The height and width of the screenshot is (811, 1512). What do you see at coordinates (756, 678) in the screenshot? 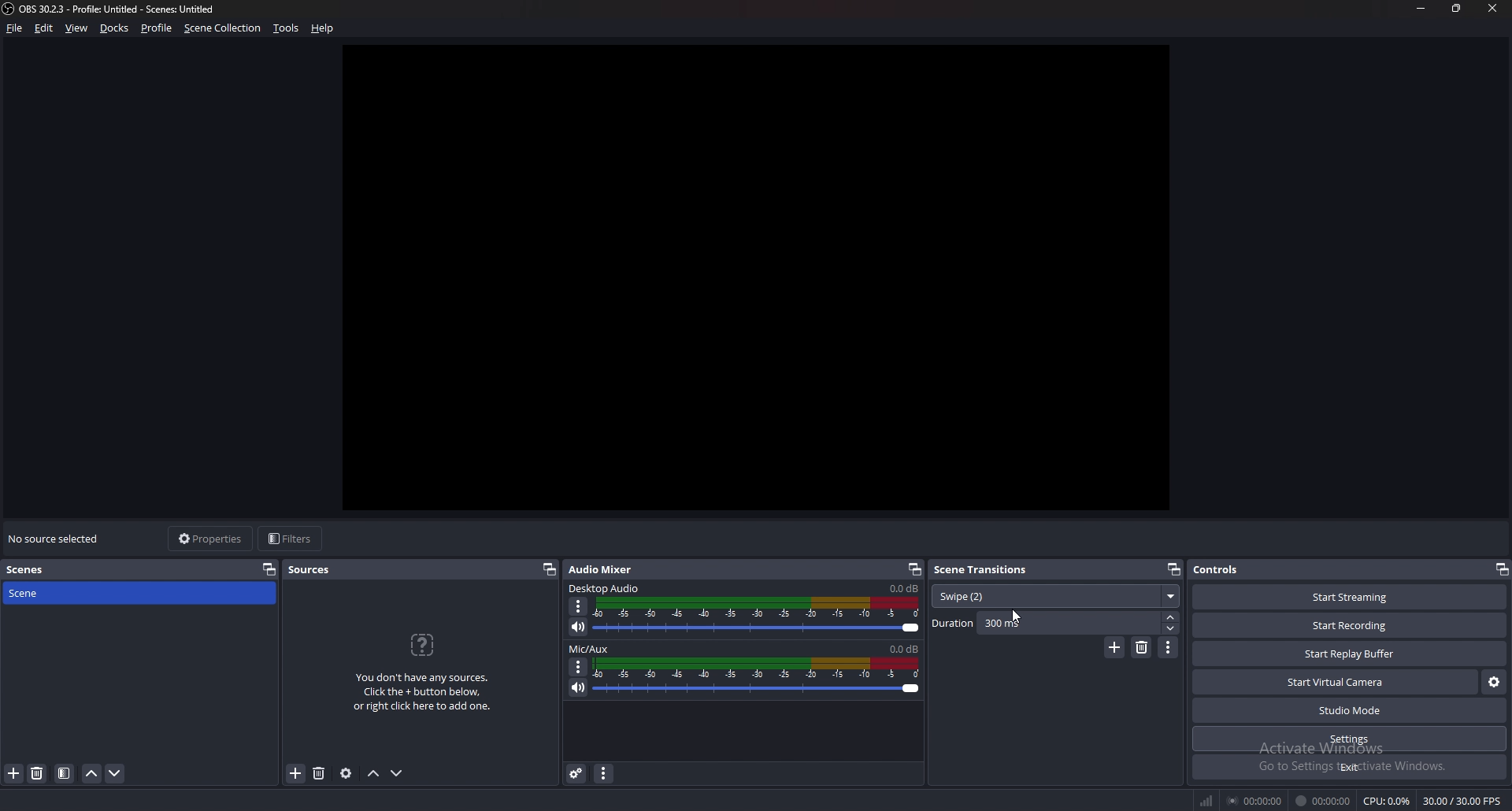
I see `volume adjust` at bounding box center [756, 678].